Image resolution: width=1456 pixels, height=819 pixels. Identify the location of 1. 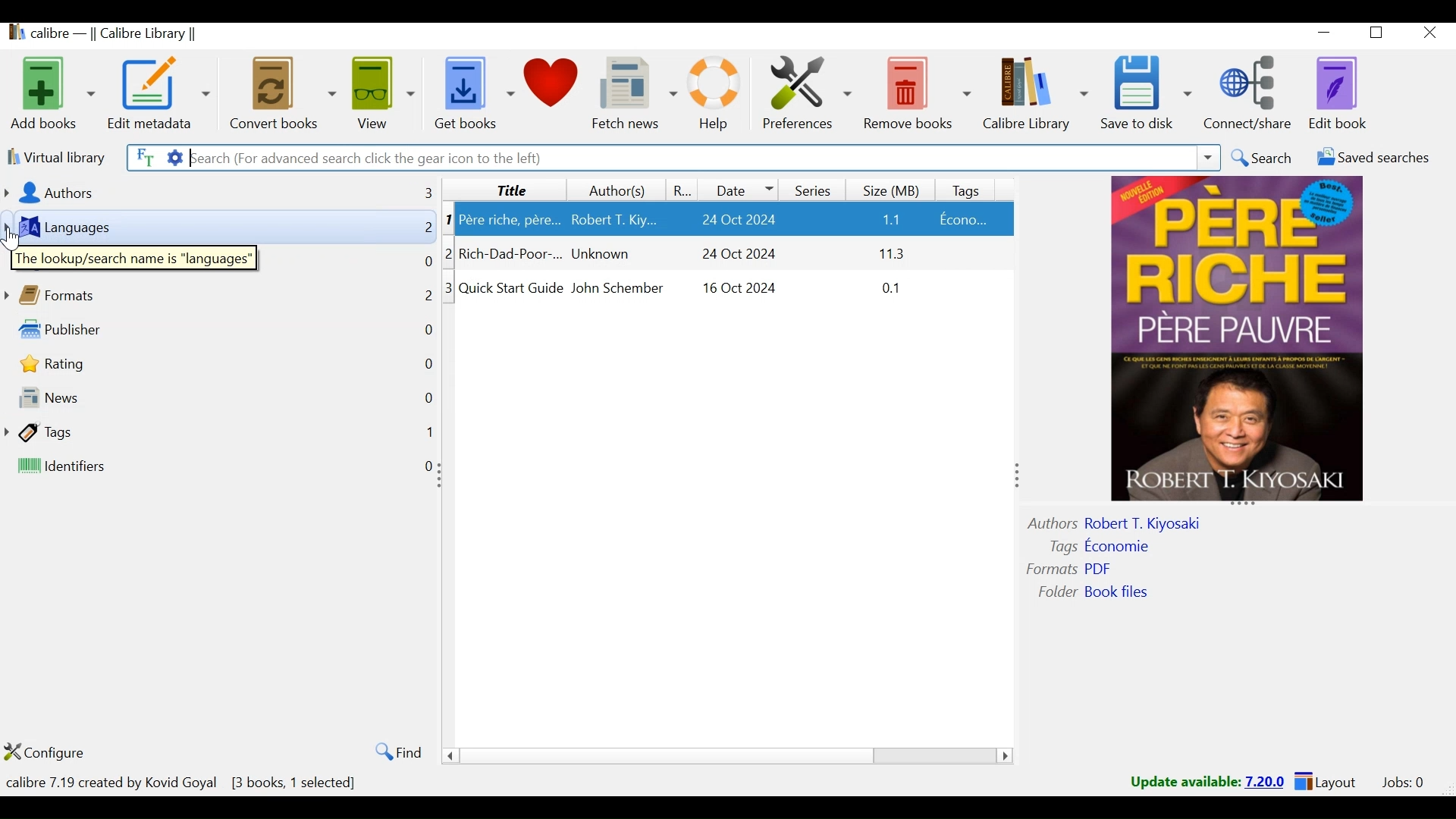
(424, 431).